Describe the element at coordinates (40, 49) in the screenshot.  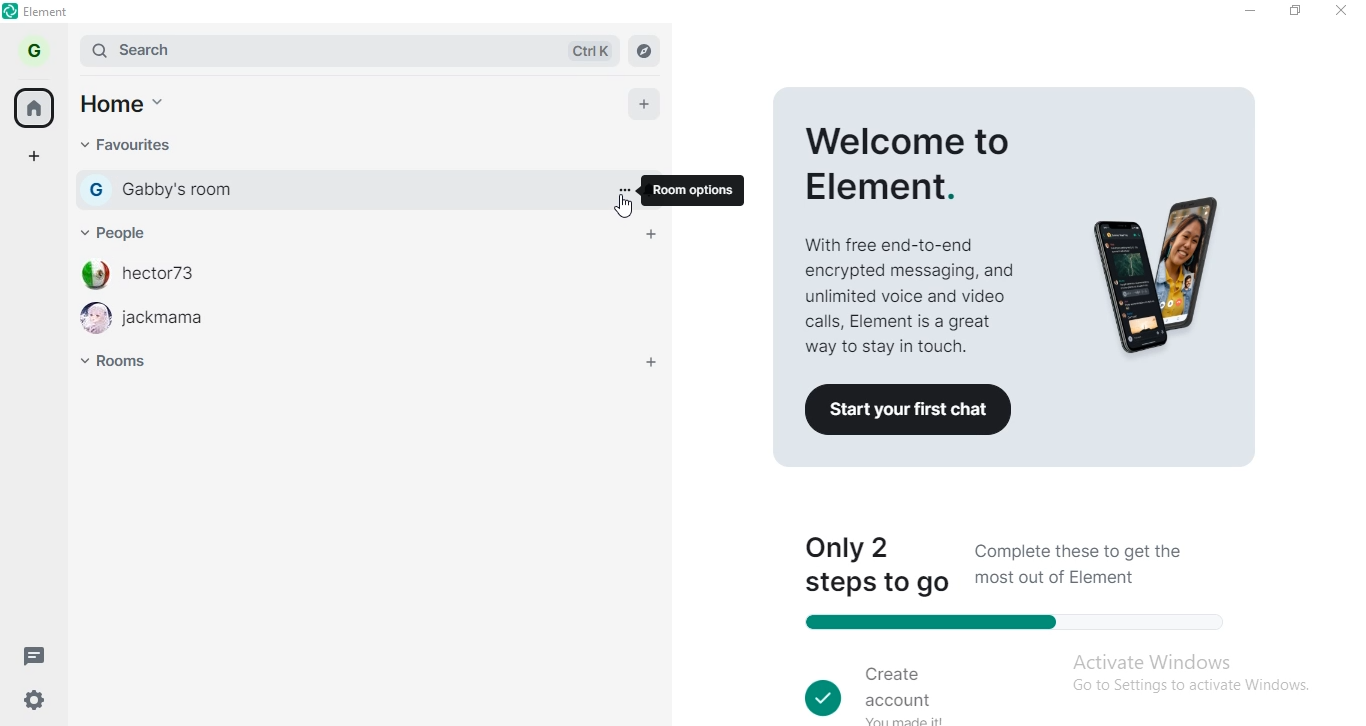
I see `profile` at that location.